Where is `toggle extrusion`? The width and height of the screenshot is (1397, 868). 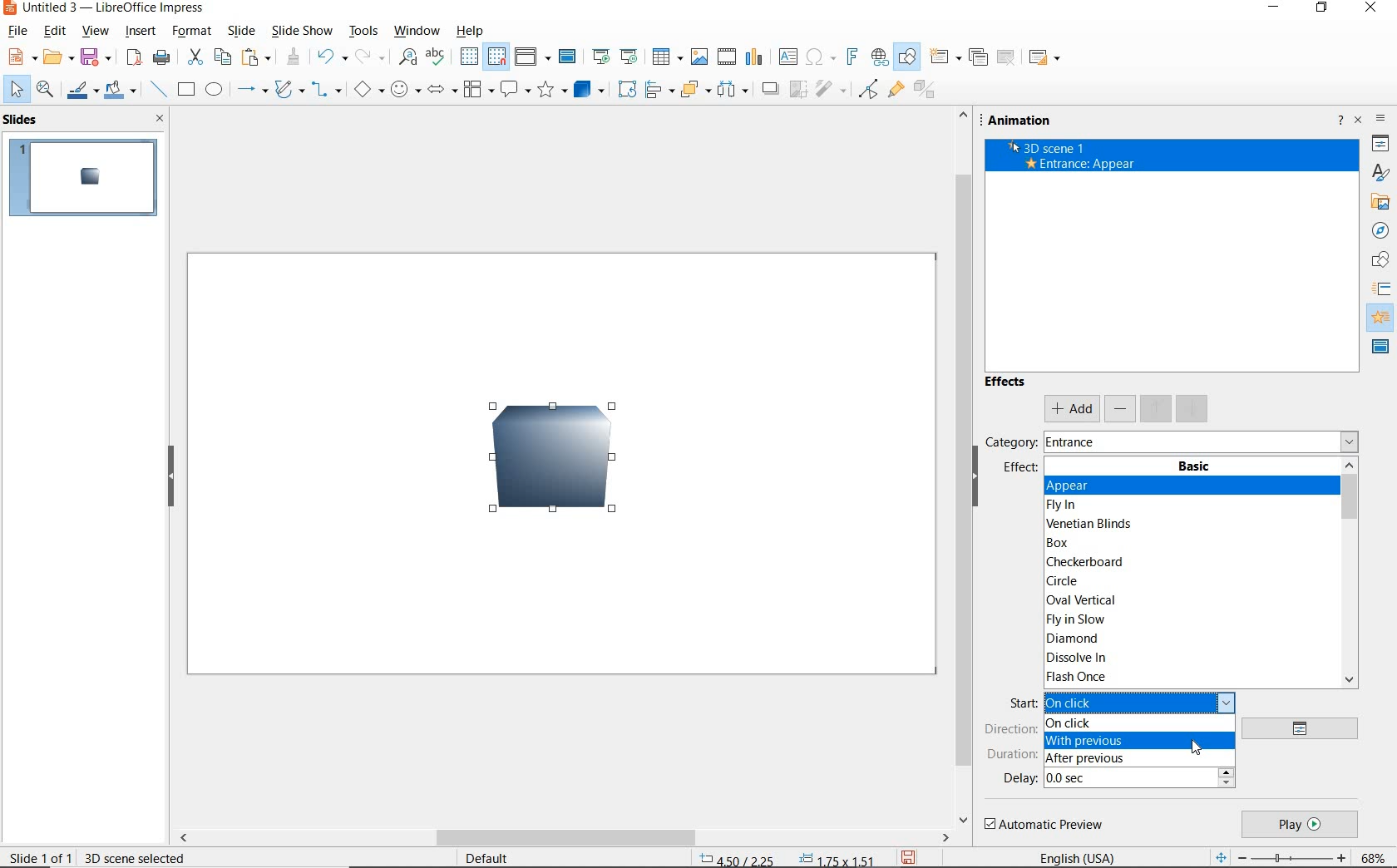
toggle extrusion is located at coordinates (927, 92).